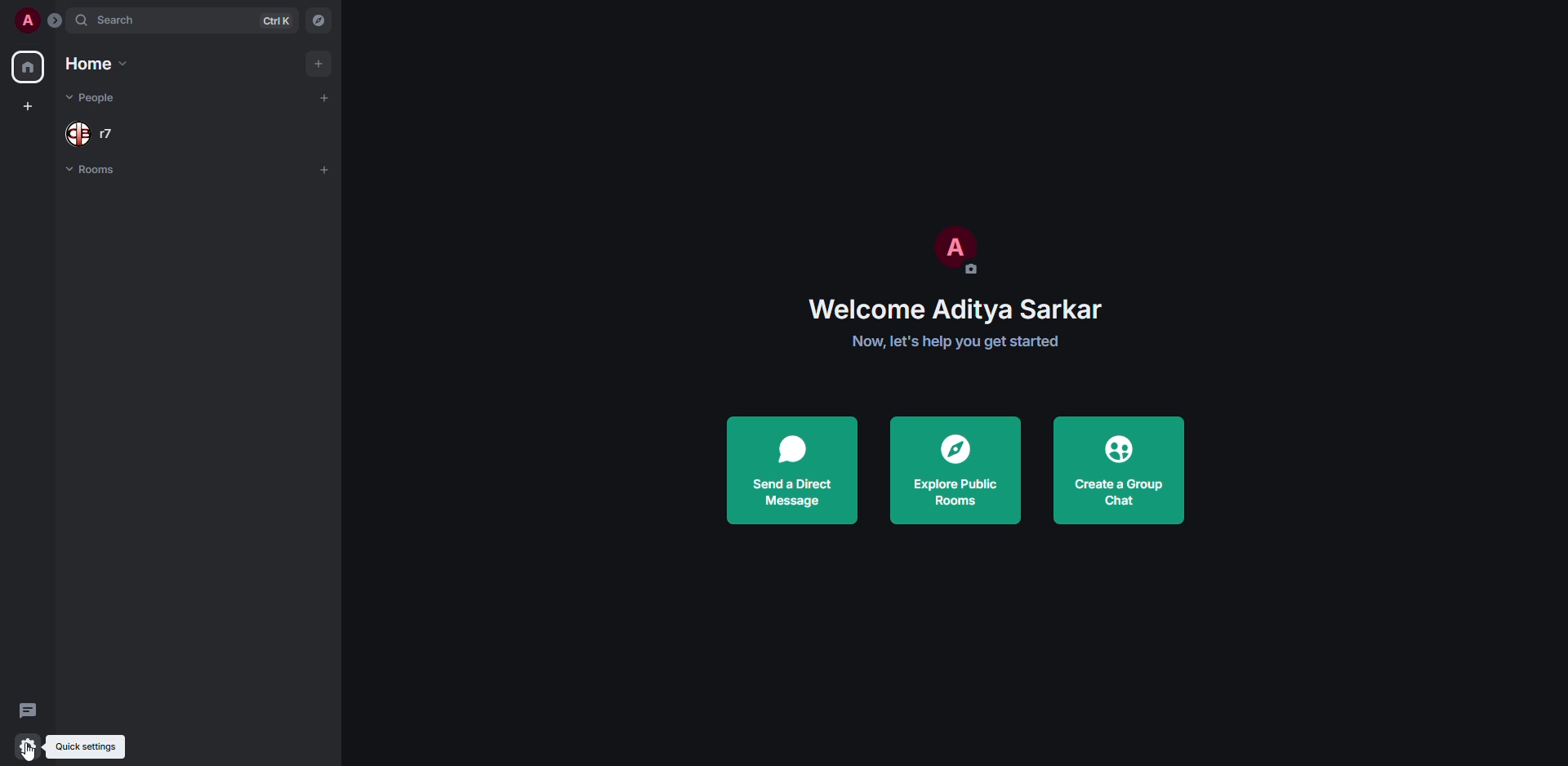 This screenshot has width=1568, height=766. I want to click on add, so click(318, 62).